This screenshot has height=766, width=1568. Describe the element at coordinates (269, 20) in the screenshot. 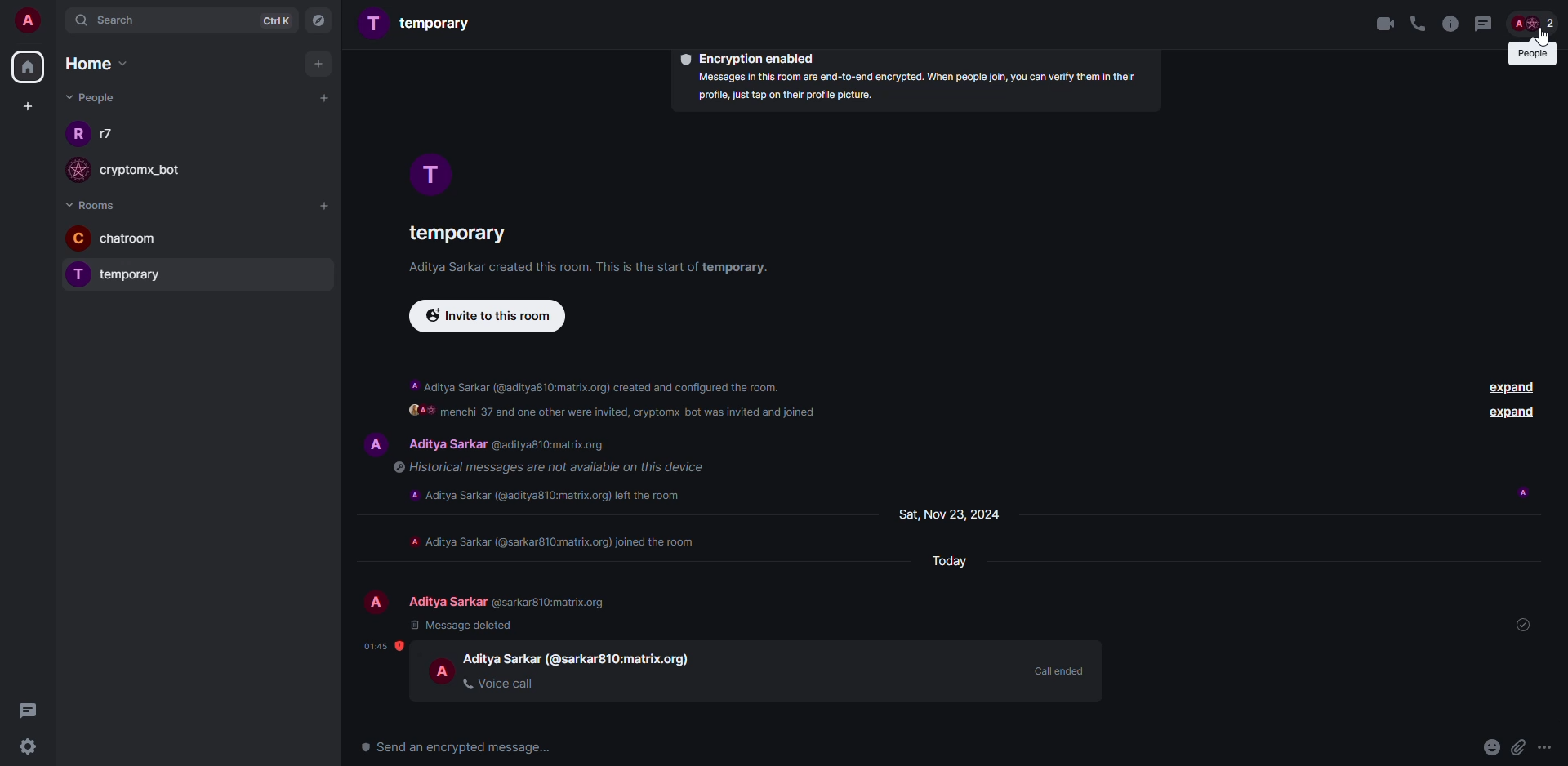

I see `ctrlK` at that location.